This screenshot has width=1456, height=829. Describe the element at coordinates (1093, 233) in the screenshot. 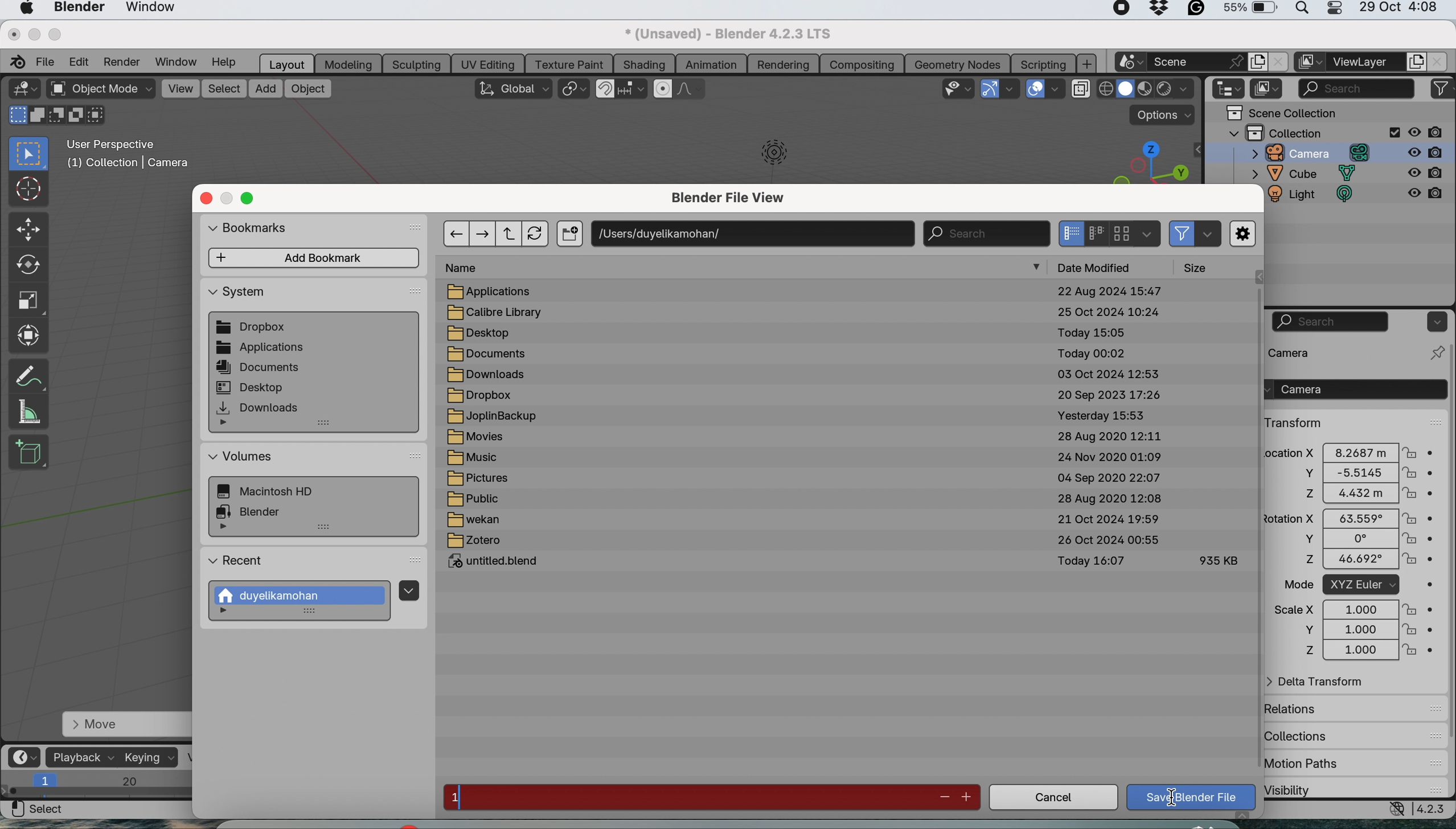

I see `display mode` at that location.